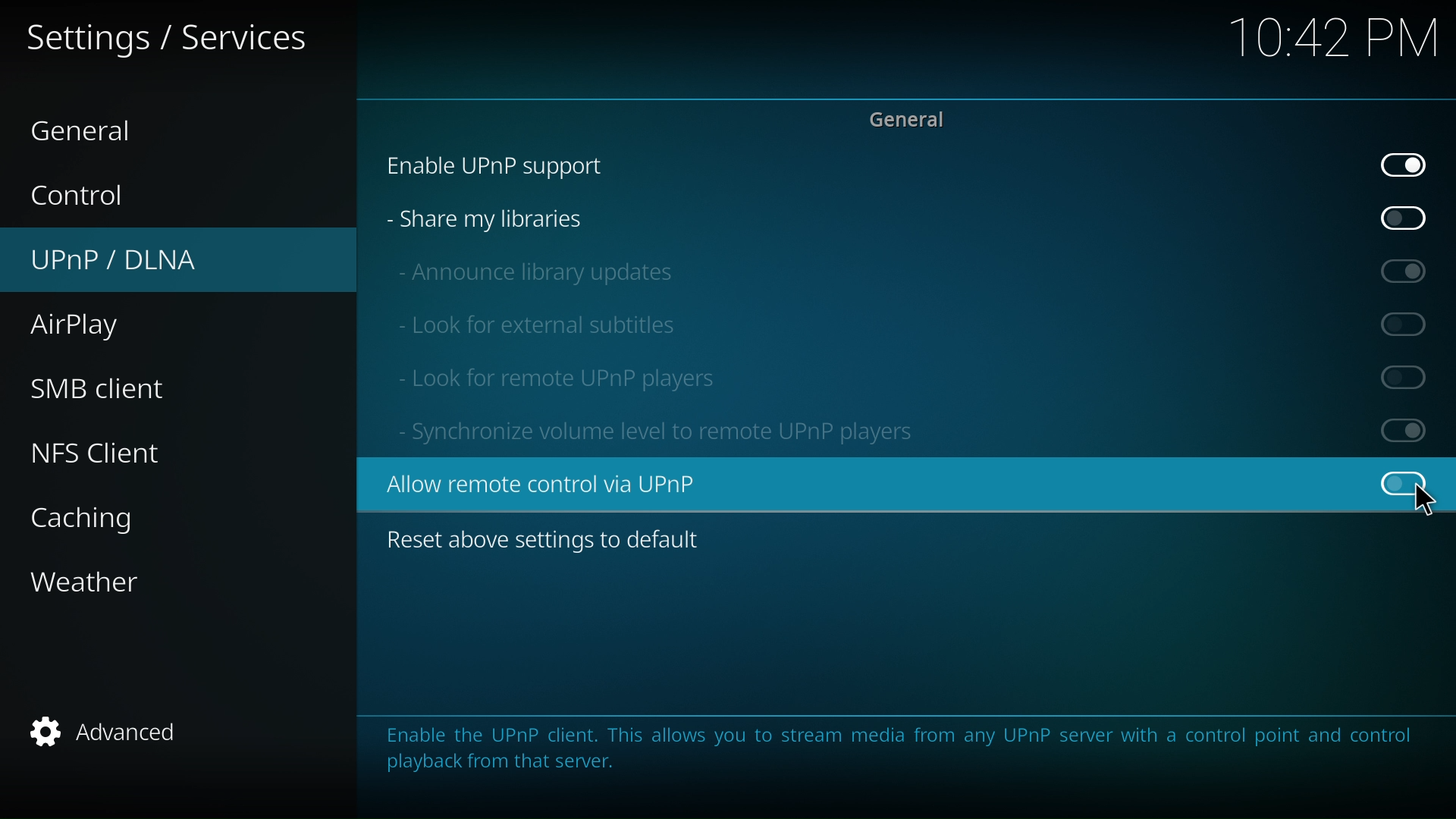 The width and height of the screenshot is (1456, 819). What do you see at coordinates (77, 326) in the screenshot?
I see `airplay` at bounding box center [77, 326].